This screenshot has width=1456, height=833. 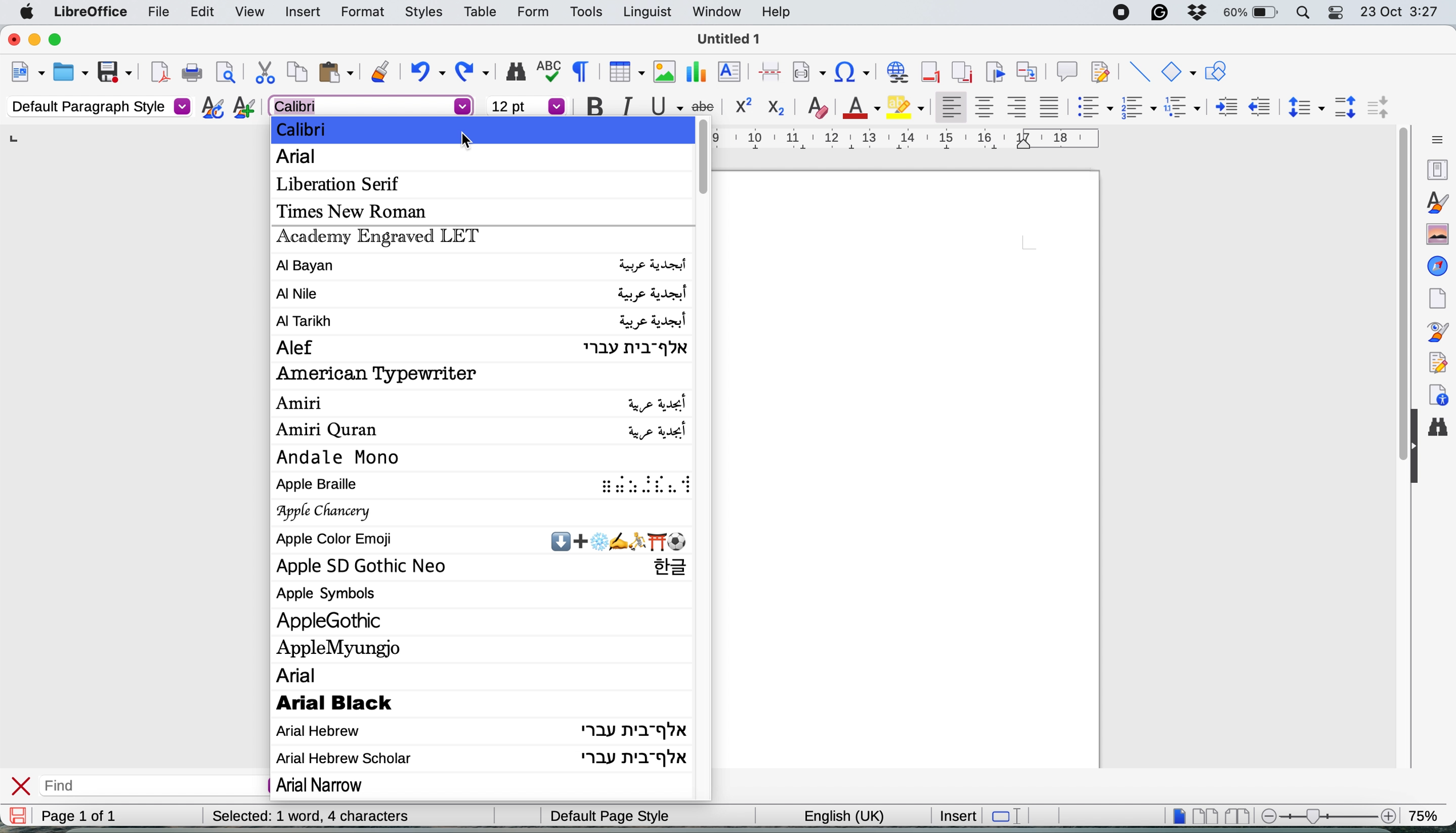 What do you see at coordinates (332, 596) in the screenshot?
I see `apply symbols` at bounding box center [332, 596].